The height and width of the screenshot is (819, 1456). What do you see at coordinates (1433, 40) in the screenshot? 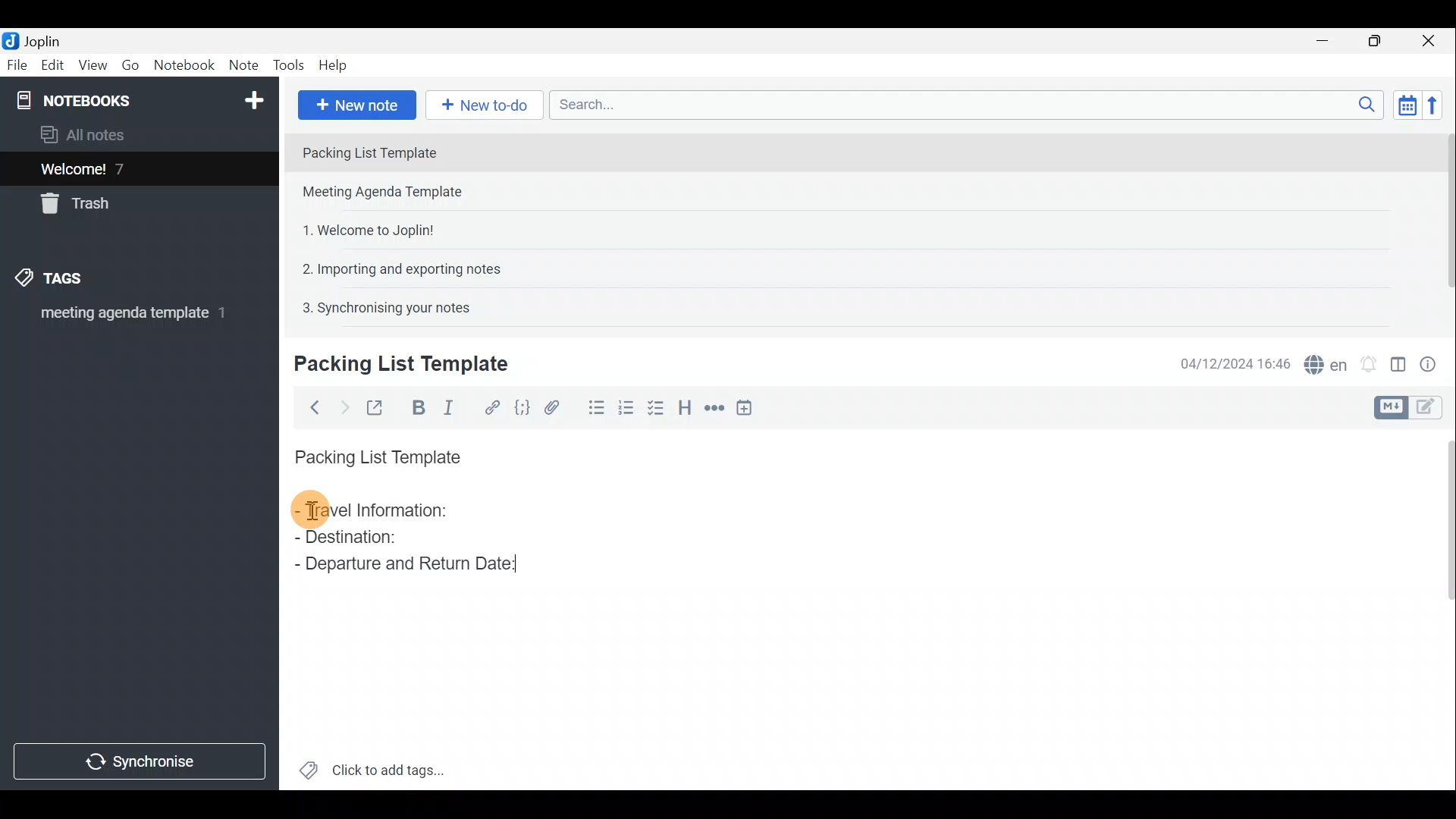
I see `Close` at bounding box center [1433, 40].